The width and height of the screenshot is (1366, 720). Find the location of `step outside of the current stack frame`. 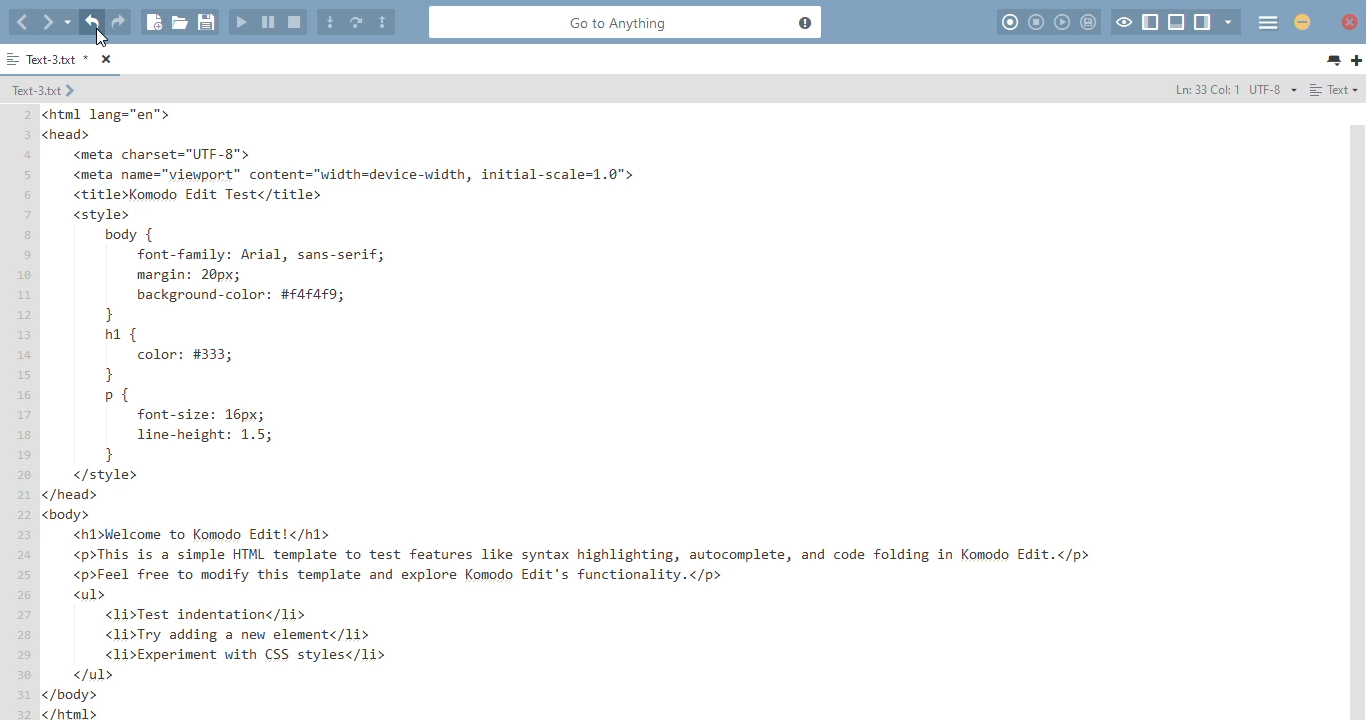

step outside of the current stack frame is located at coordinates (382, 22).